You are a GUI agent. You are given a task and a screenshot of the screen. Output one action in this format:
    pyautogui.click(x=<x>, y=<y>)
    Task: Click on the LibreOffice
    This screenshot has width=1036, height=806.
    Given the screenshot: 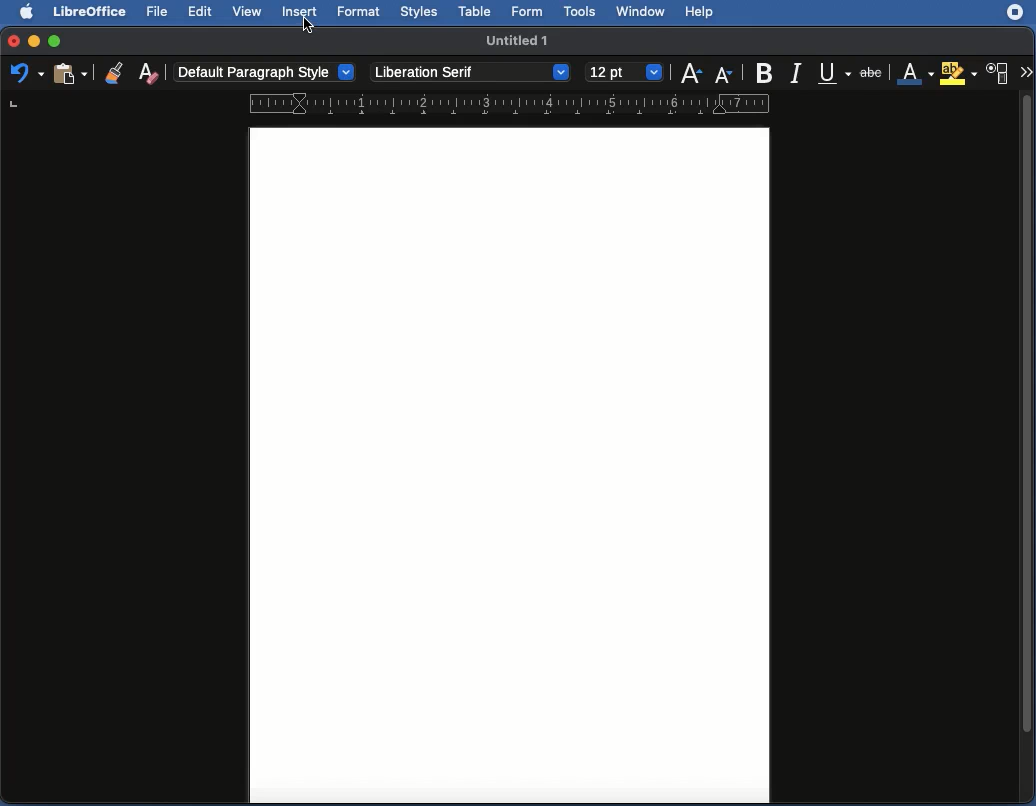 What is the action you would take?
    pyautogui.click(x=91, y=12)
    